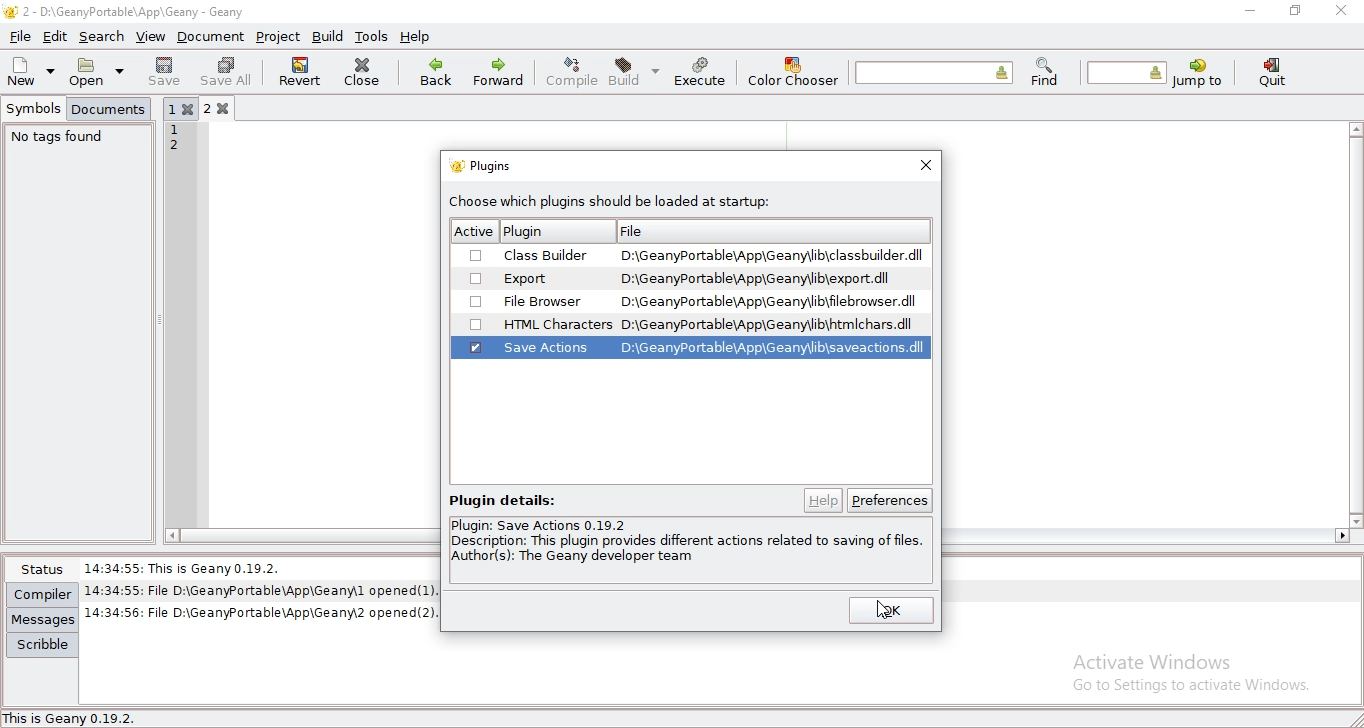 Image resolution: width=1364 pixels, height=728 pixels. What do you see at coordinates (1044, 72) in the screenshot?
I see `find` at bounding box center [1044, 72].